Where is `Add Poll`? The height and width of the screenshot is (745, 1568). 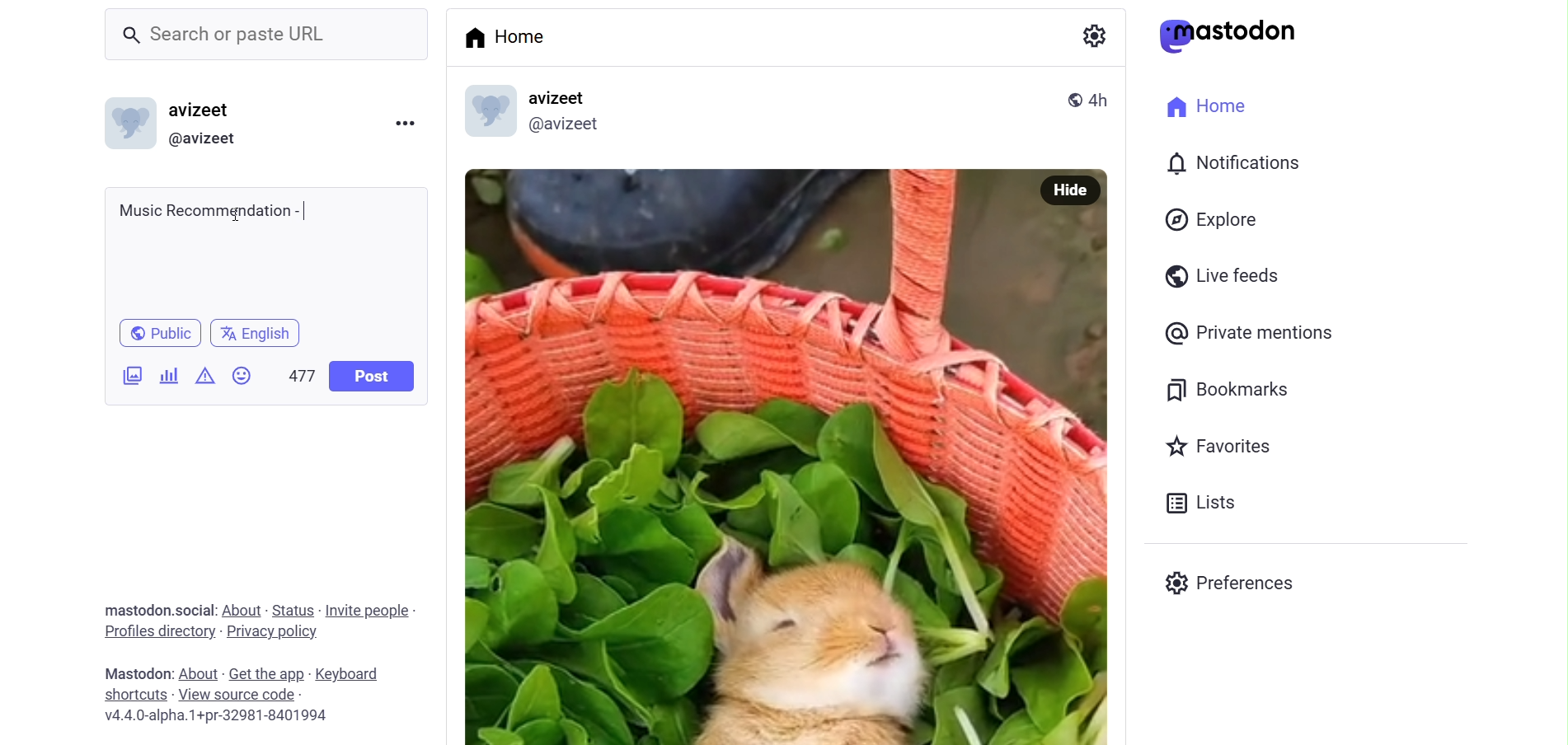 Add Poll is located at coordinates (168, 374).